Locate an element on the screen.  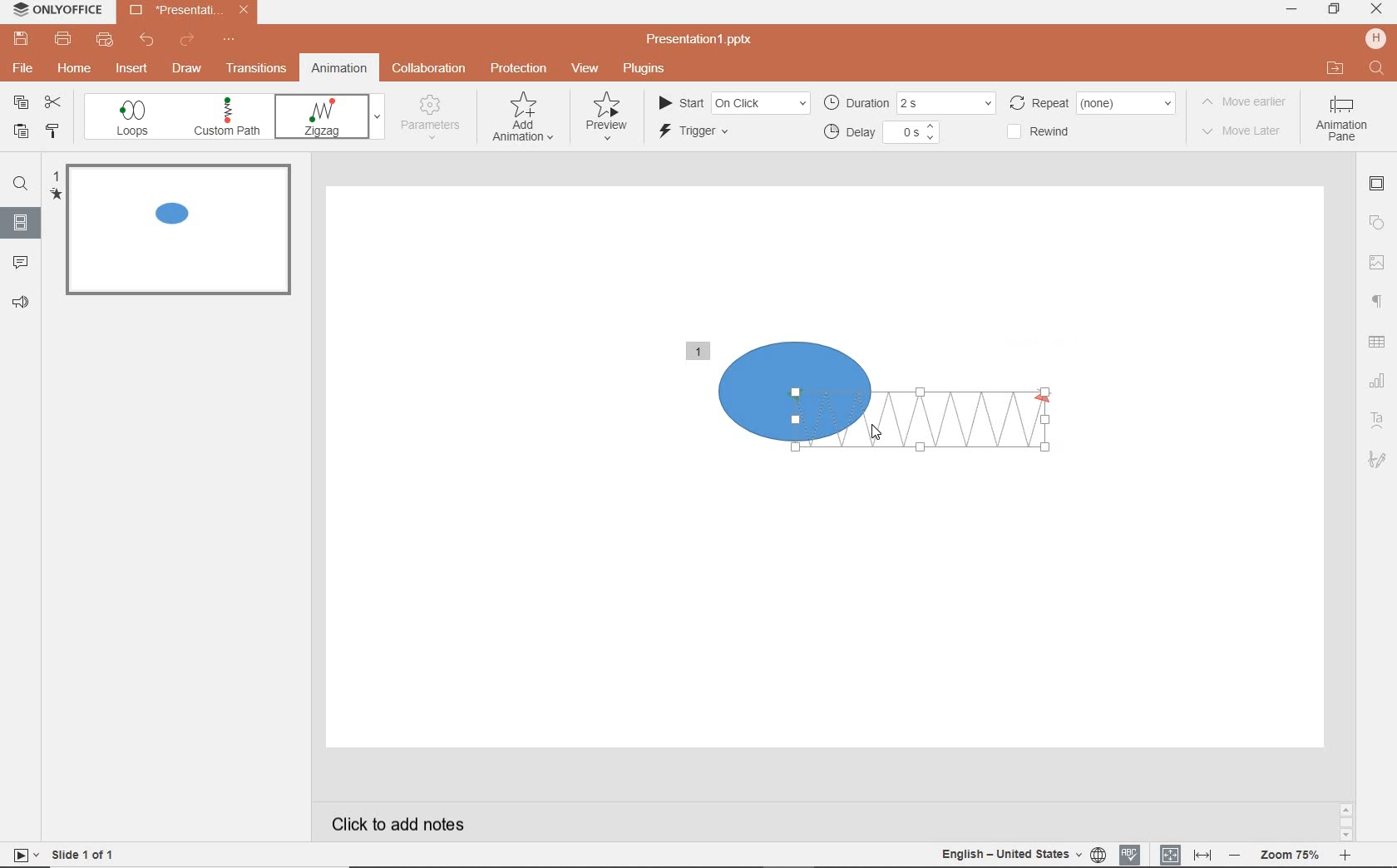
custom path is located at coordinates (230, 119).